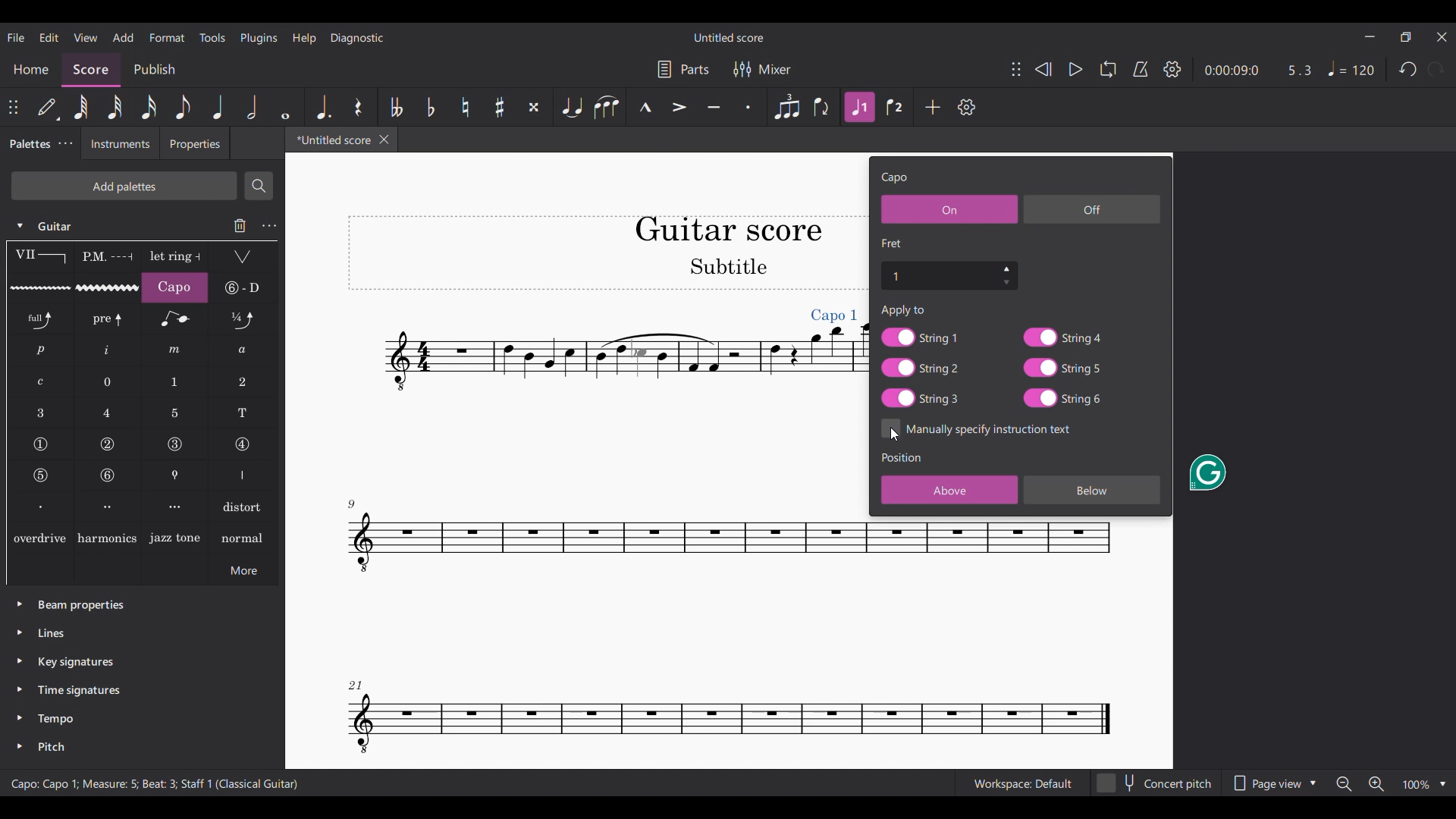  What do you see at coordinates (242, 445) in the screenshot?
I see `String number 4` at bounding box center [242, 445].